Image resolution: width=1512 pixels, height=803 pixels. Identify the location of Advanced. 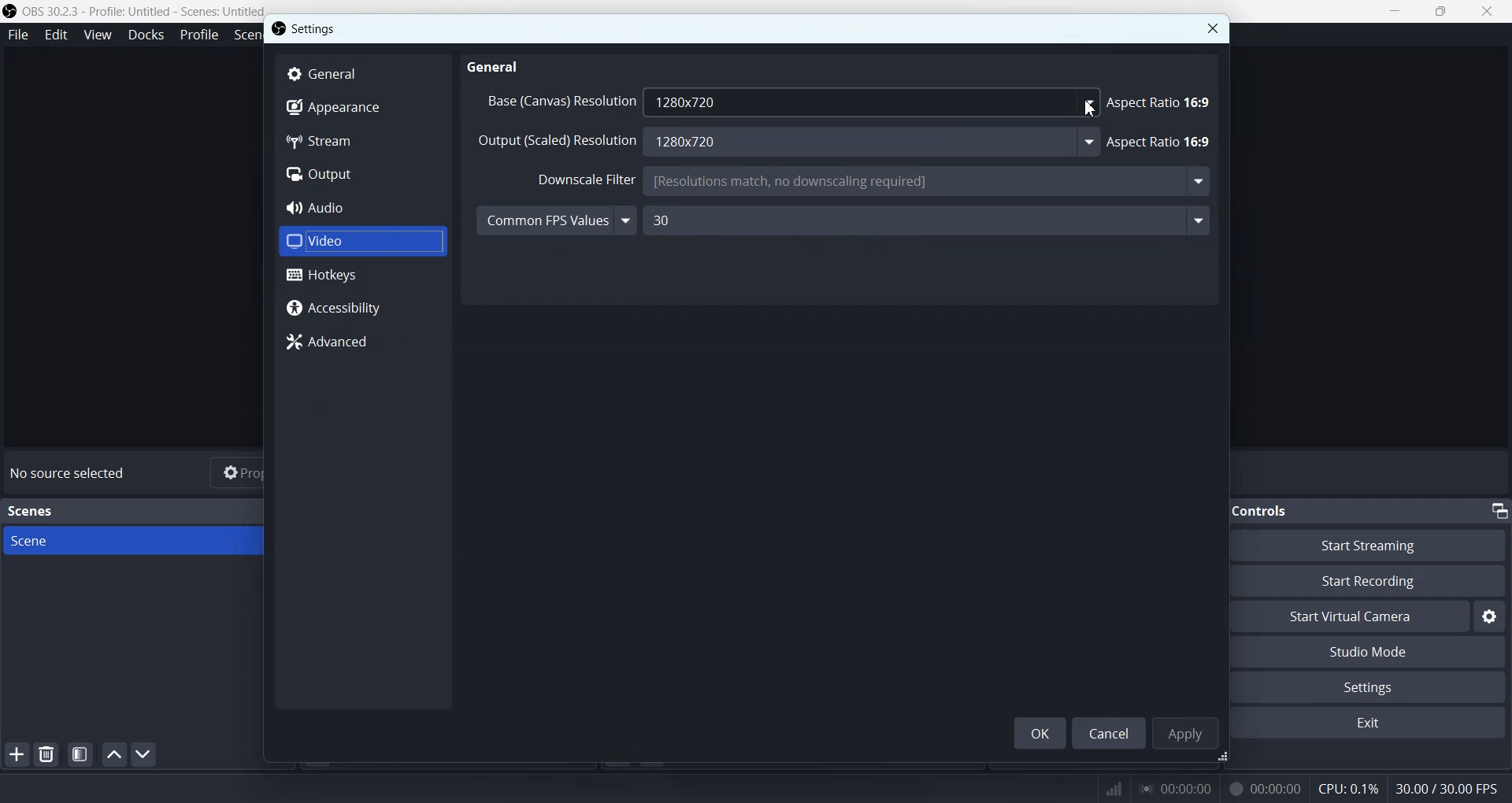
(363, 342).